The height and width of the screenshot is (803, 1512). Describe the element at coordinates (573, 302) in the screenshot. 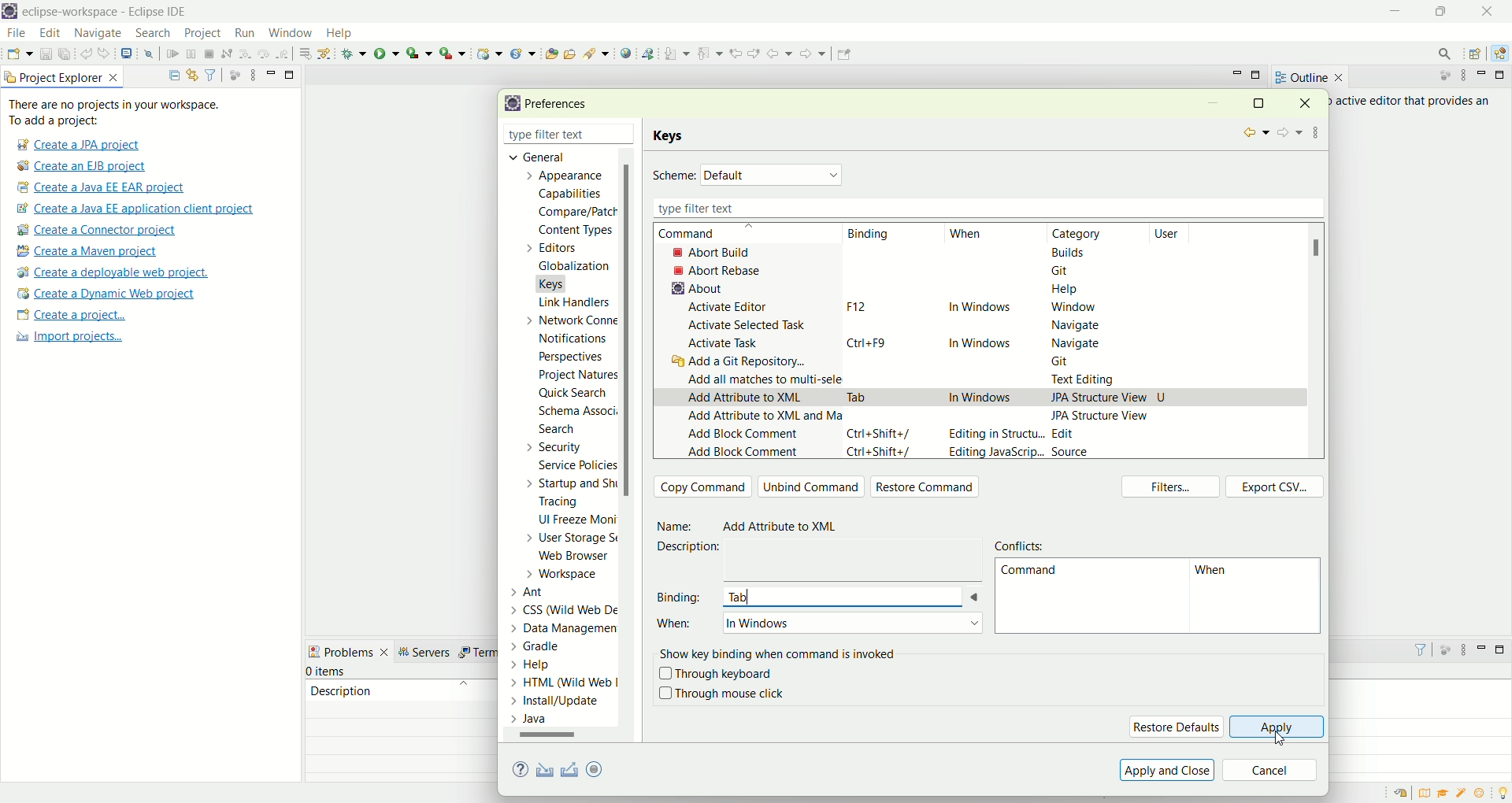

I see `link handlers` at that location.